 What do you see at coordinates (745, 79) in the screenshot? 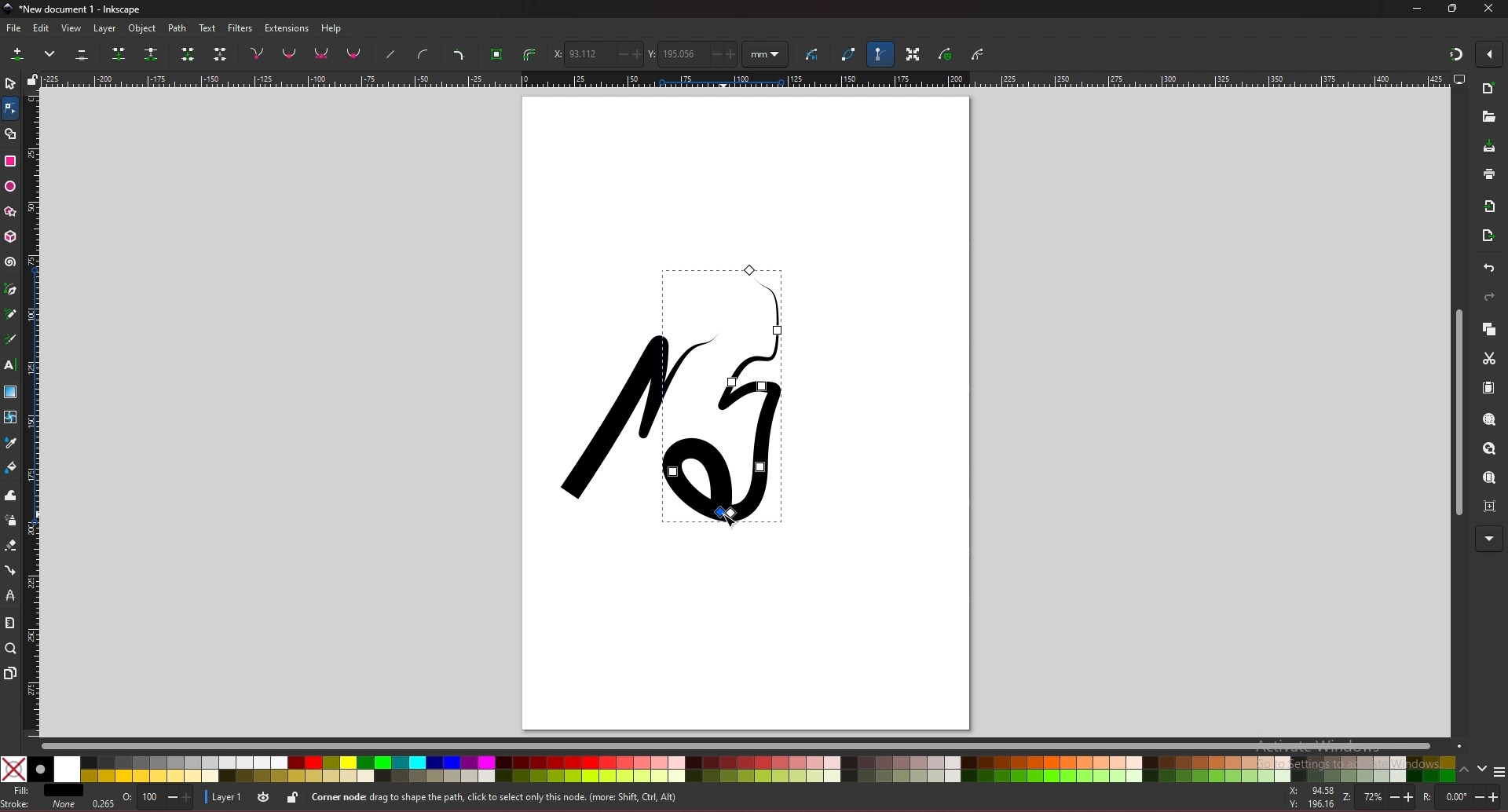
I see `horizontal scale` at bounding box center [745, 79].